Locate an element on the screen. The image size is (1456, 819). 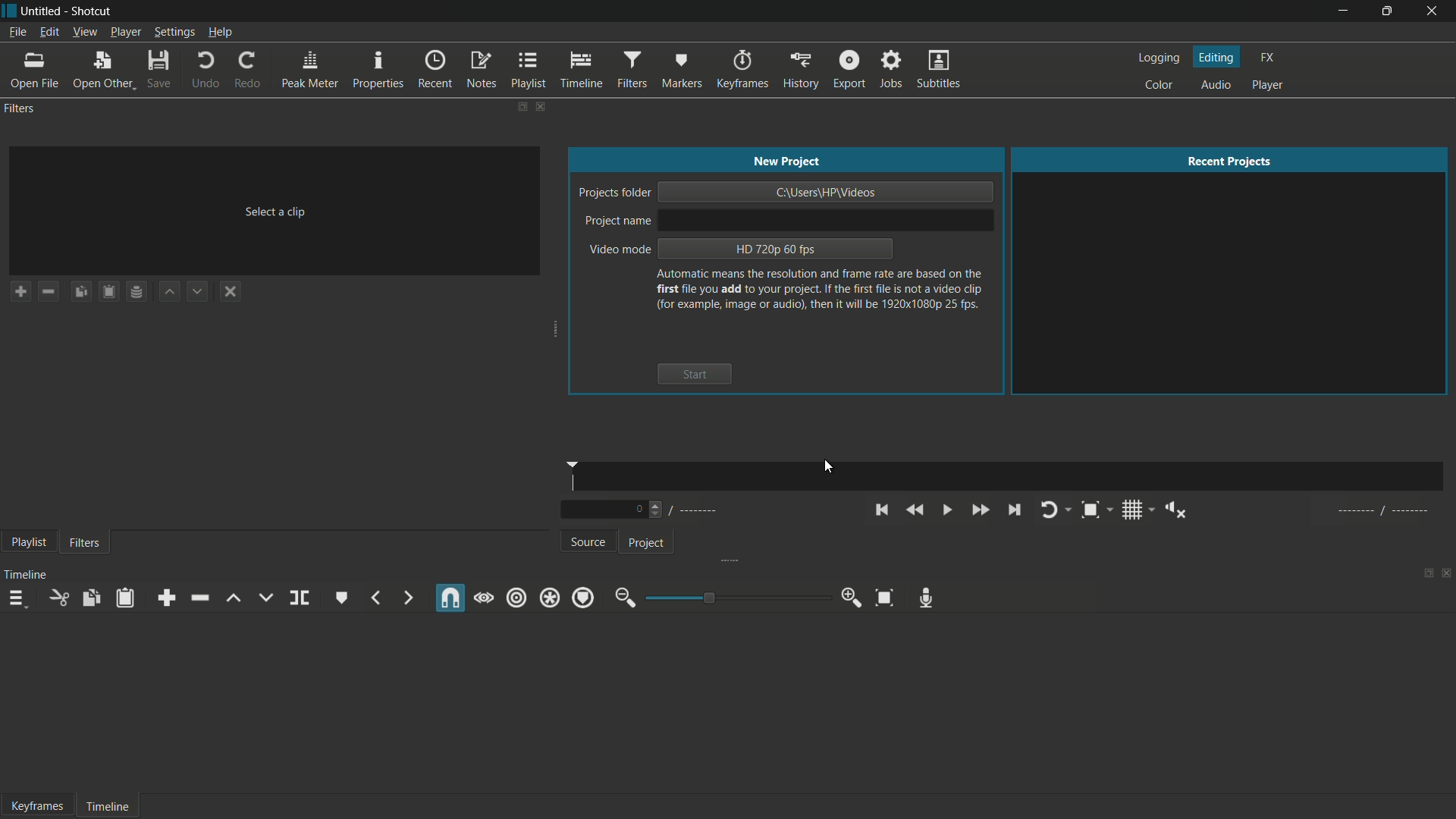
toggle zoom is located at coordinates (1095, 510).